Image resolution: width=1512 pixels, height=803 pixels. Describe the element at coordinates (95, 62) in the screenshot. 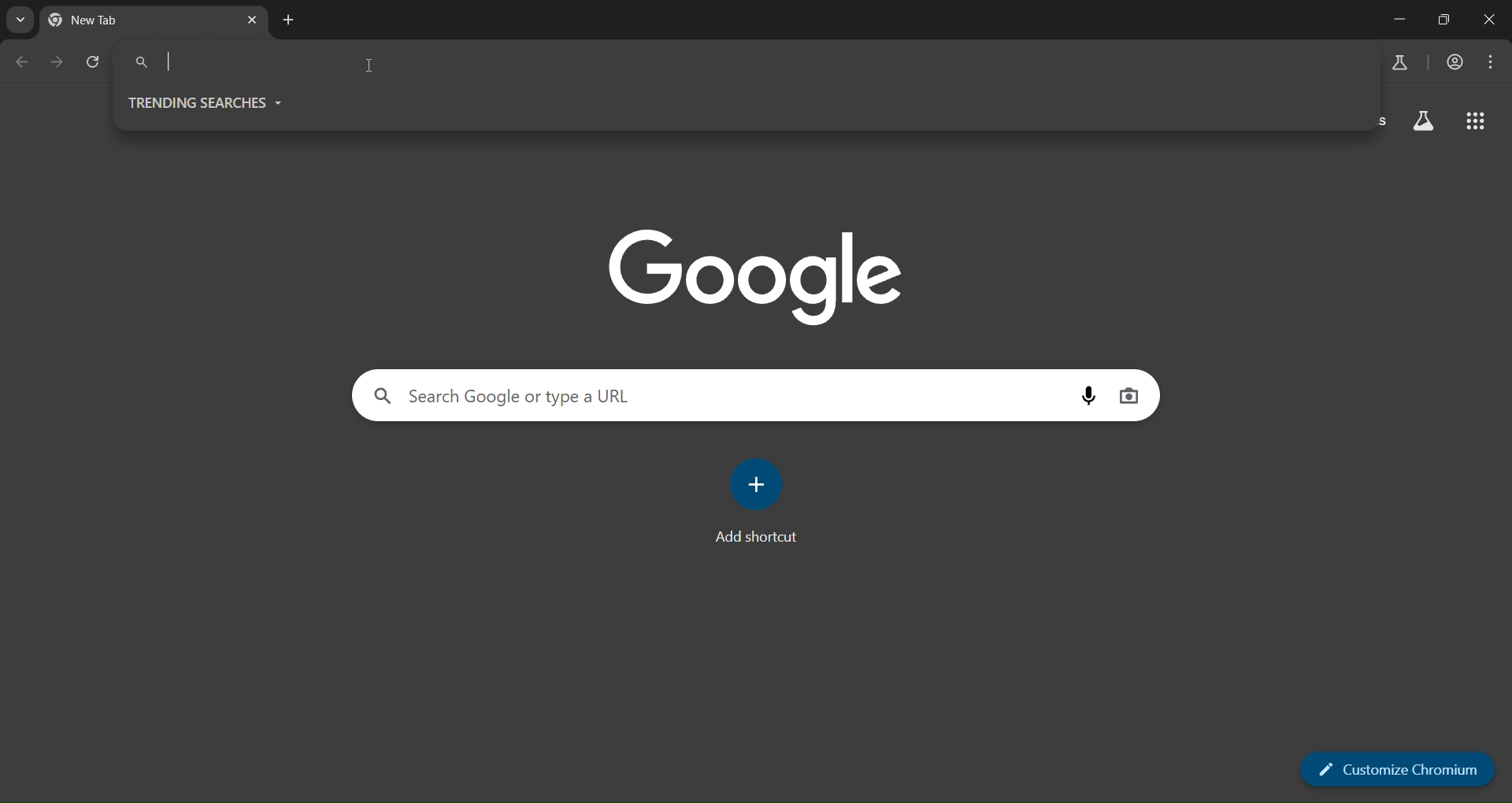

I see `reload page` at that location.